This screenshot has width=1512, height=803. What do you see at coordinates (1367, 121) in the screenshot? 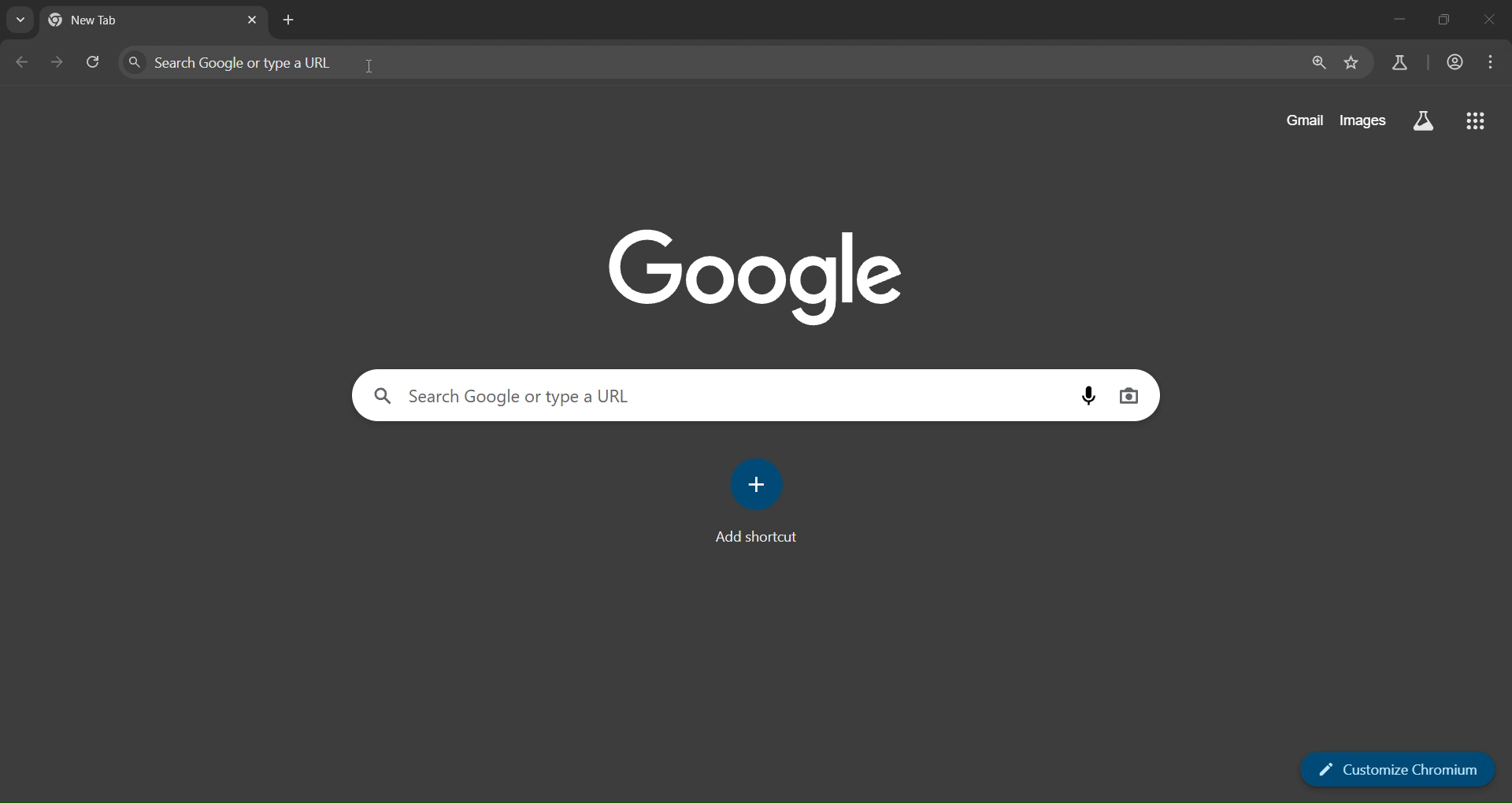
I see `images` at bounding box center [1367, 121].